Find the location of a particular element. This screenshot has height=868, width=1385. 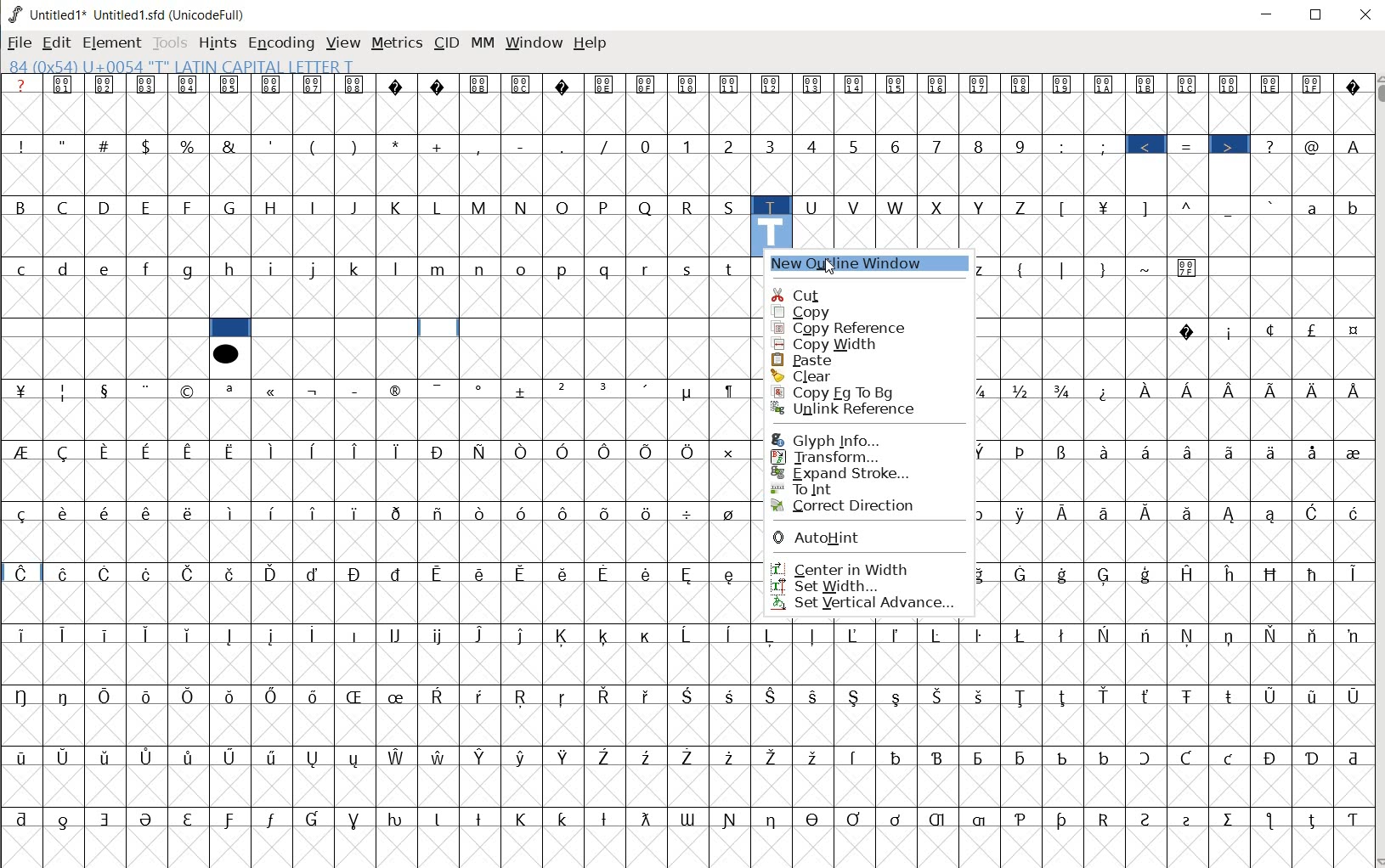

Symbol is located at coordinates (314, 573).